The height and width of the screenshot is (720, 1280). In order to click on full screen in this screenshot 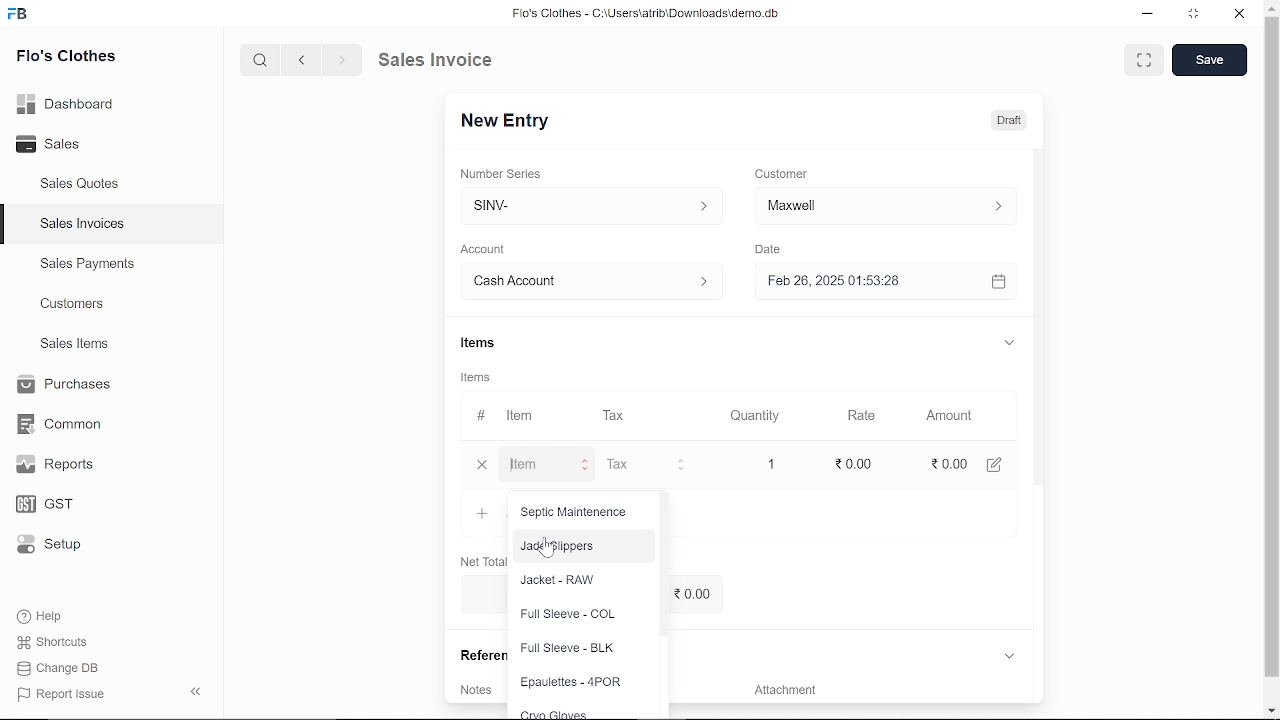, I will do `click(1144, 61)`.